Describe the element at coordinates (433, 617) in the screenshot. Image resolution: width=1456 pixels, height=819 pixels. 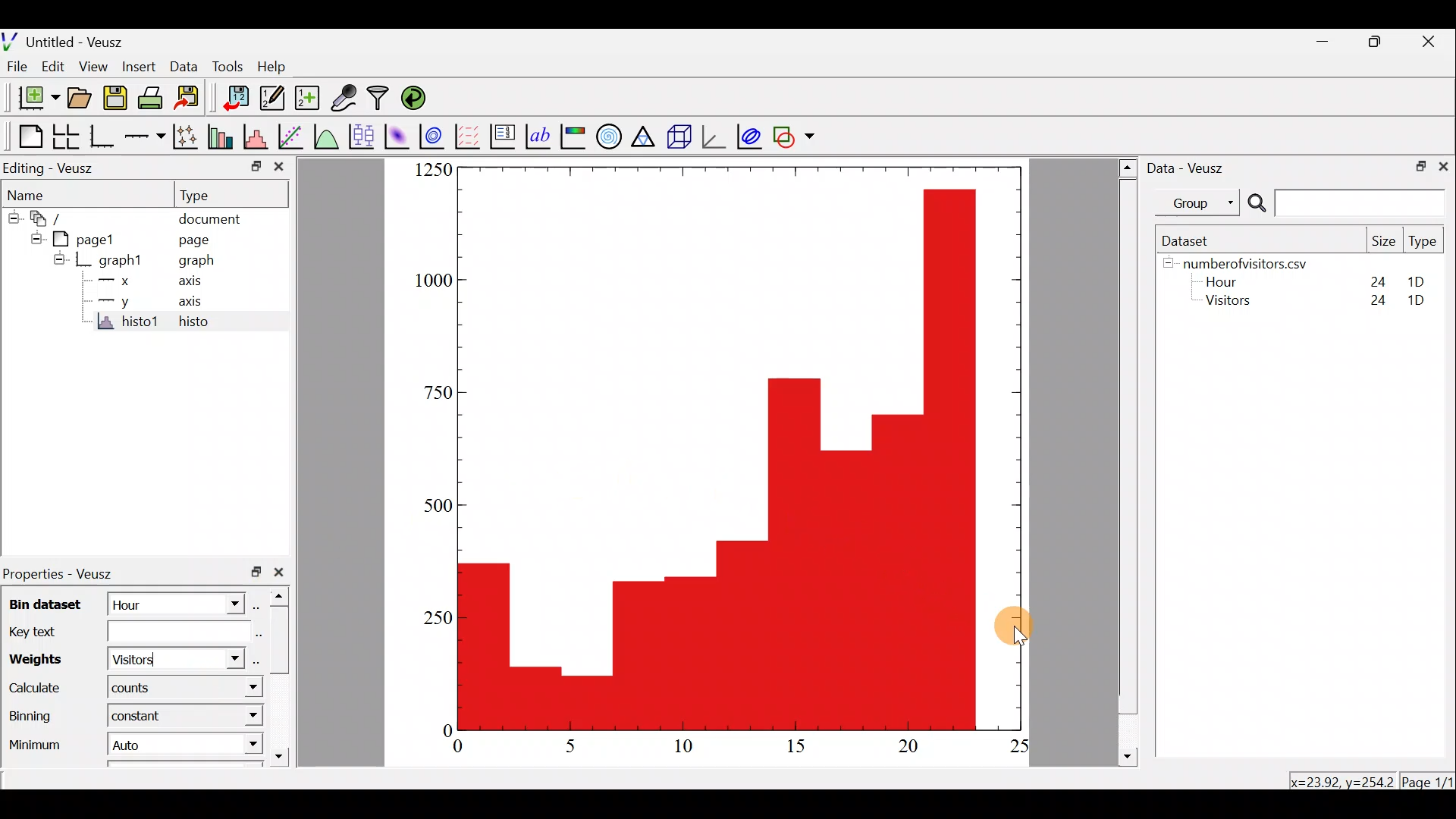
I see `250` at that location.